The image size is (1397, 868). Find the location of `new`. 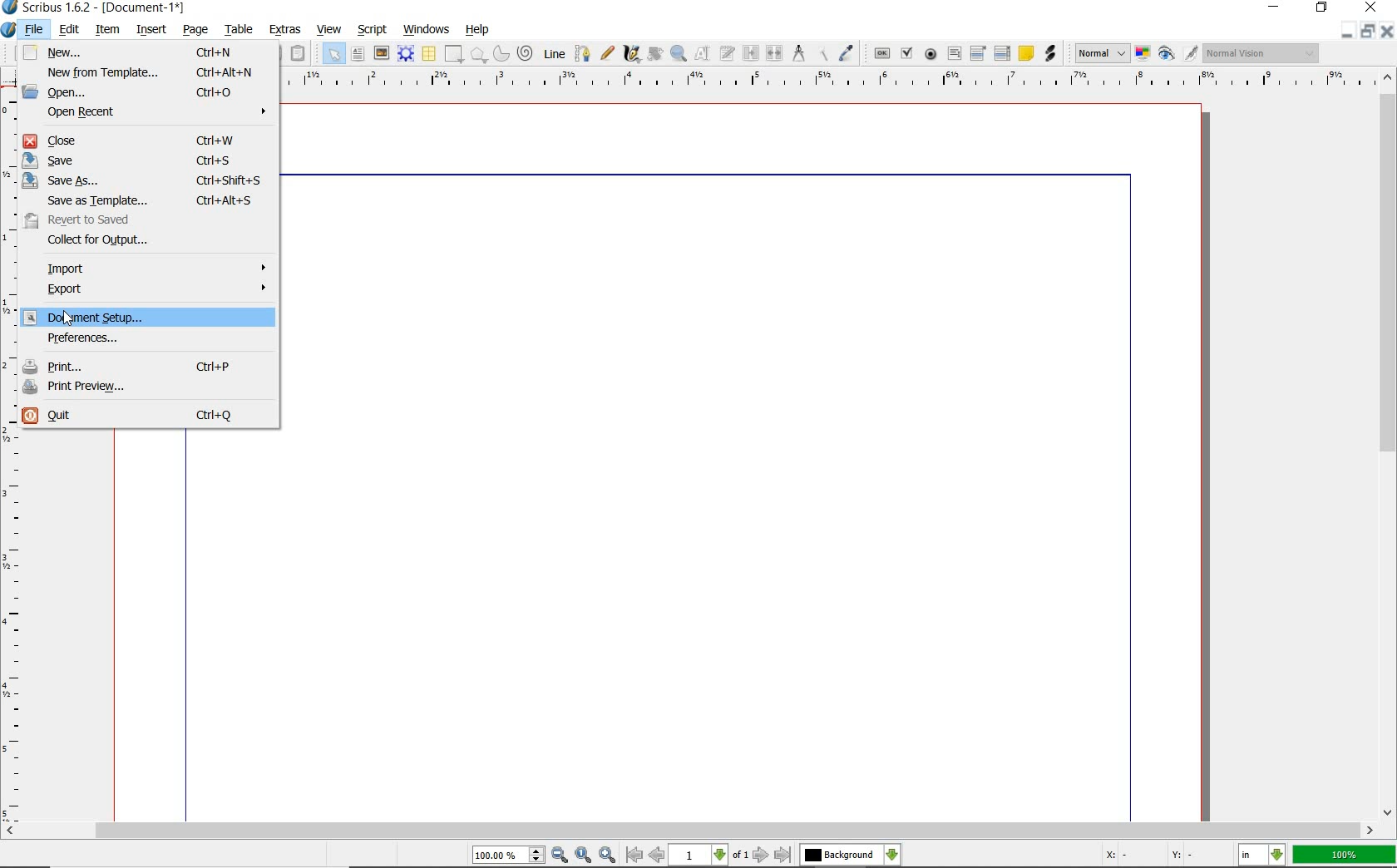

new is located at coordinates (144, 52).